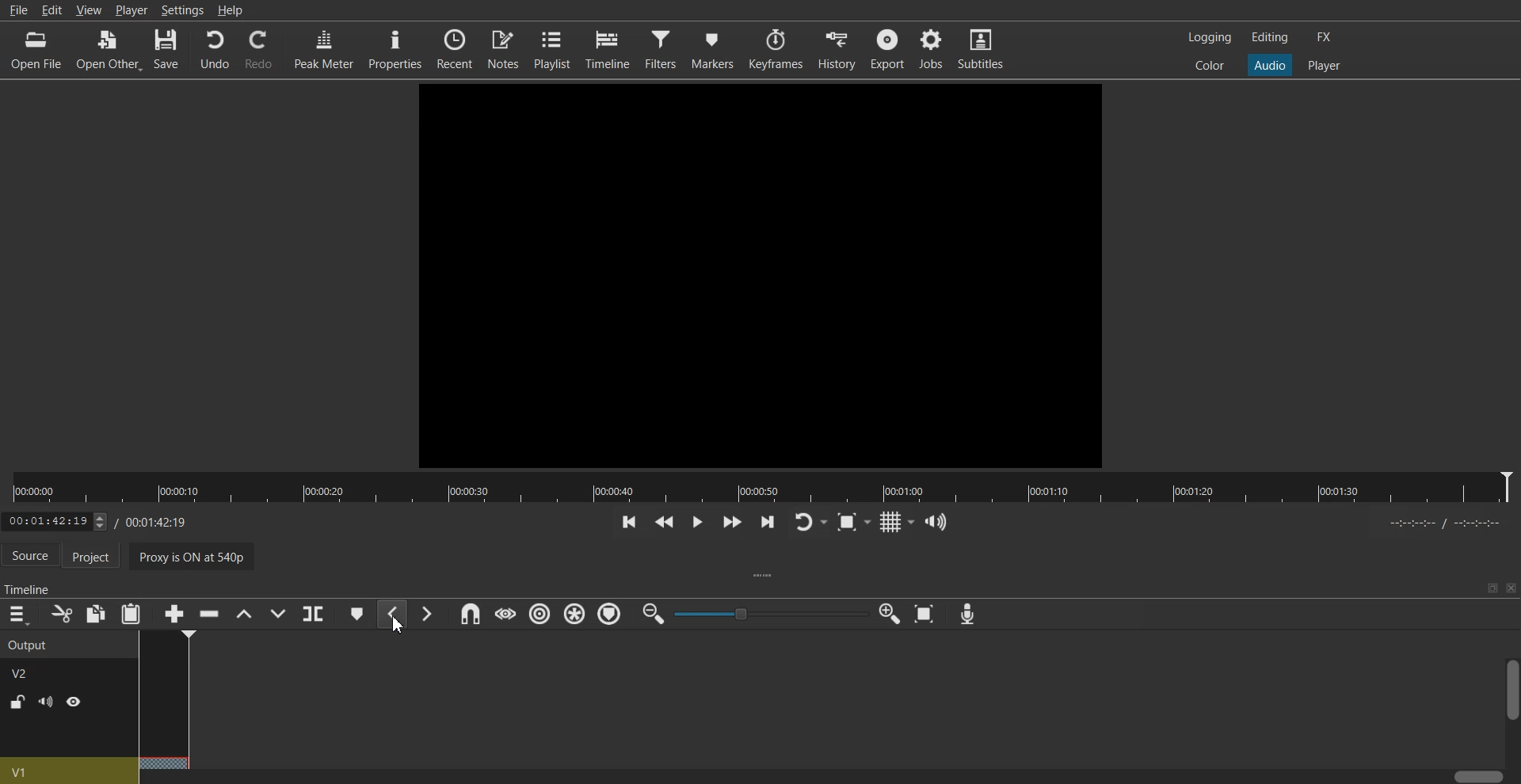  I want to click on Open Other, so click(109, 48).